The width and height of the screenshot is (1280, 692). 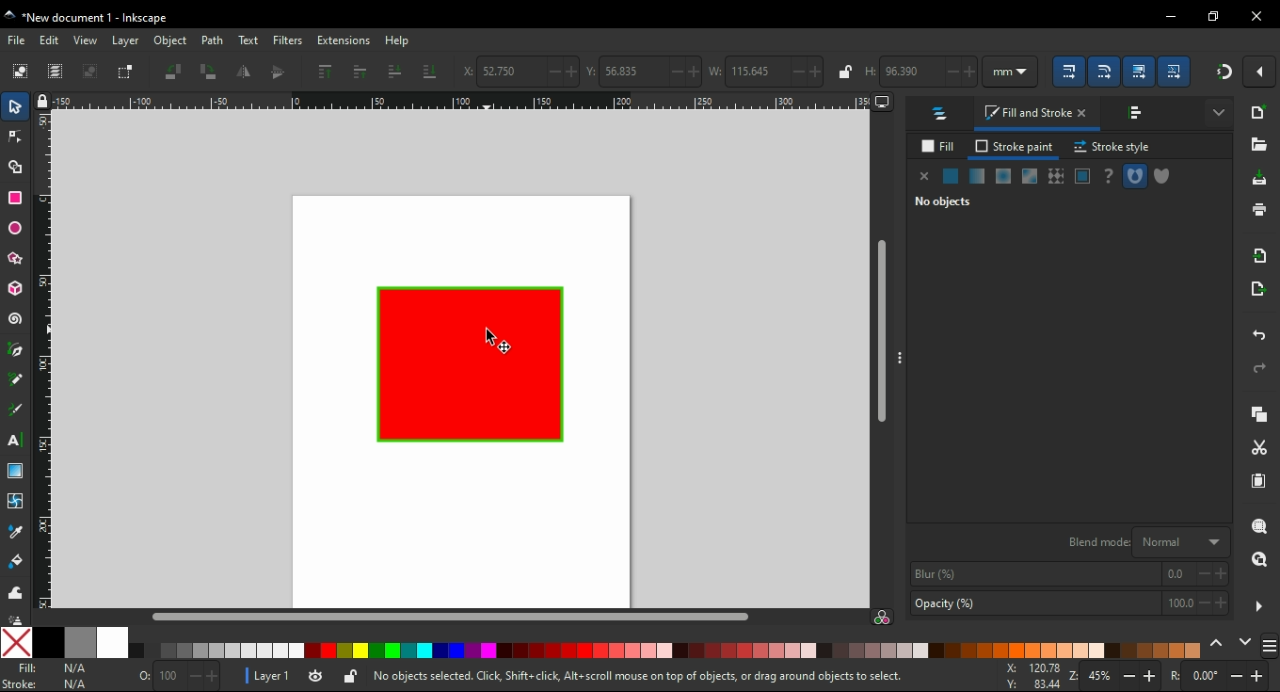 I want to click on 56, so click(x=631, y=71).